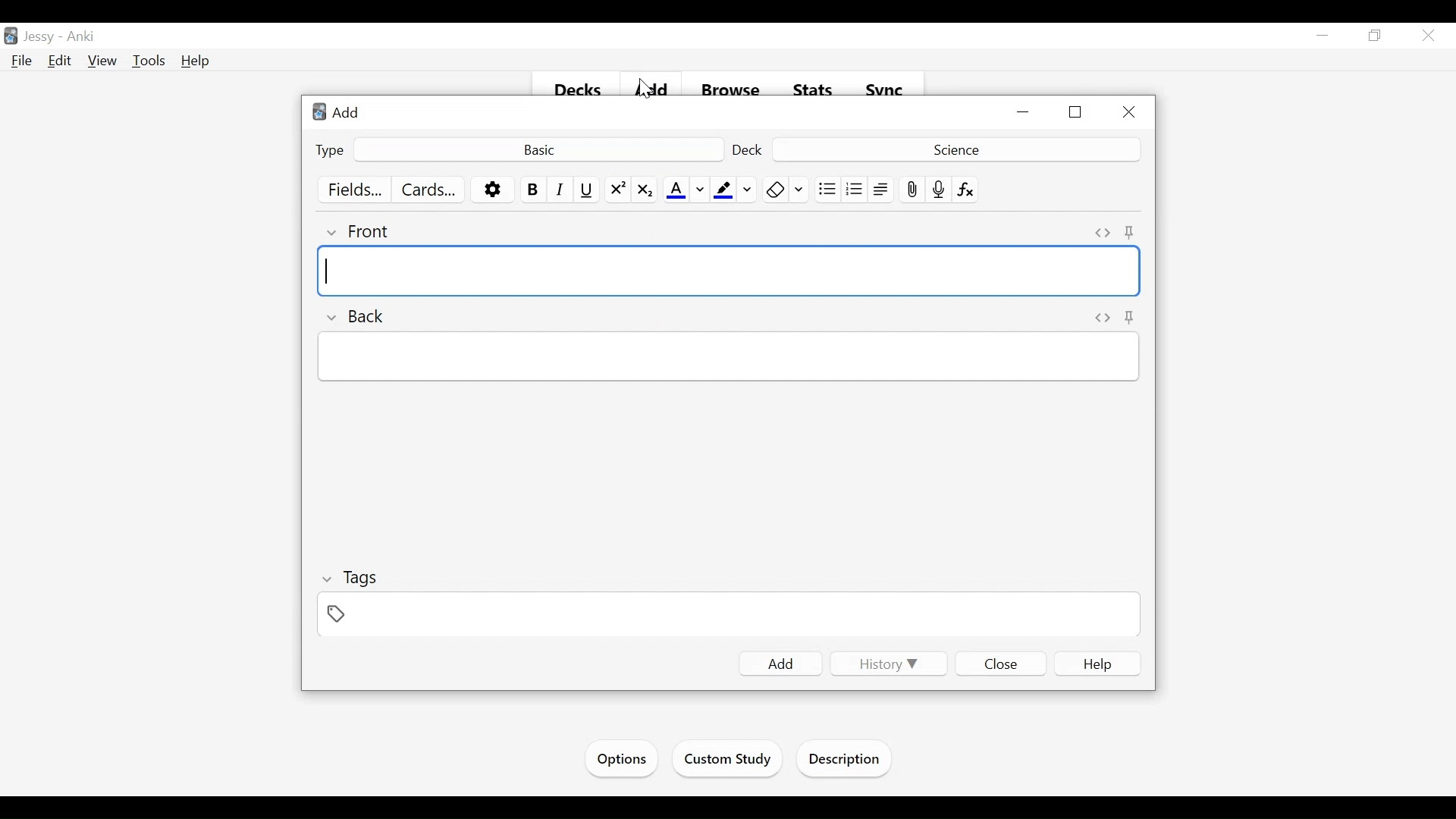 This screenshot has width=1456, height=819. What do you see at coordinates (636, 92) in the screenshot?
I see `cursor` at bounding box center [636, 92].